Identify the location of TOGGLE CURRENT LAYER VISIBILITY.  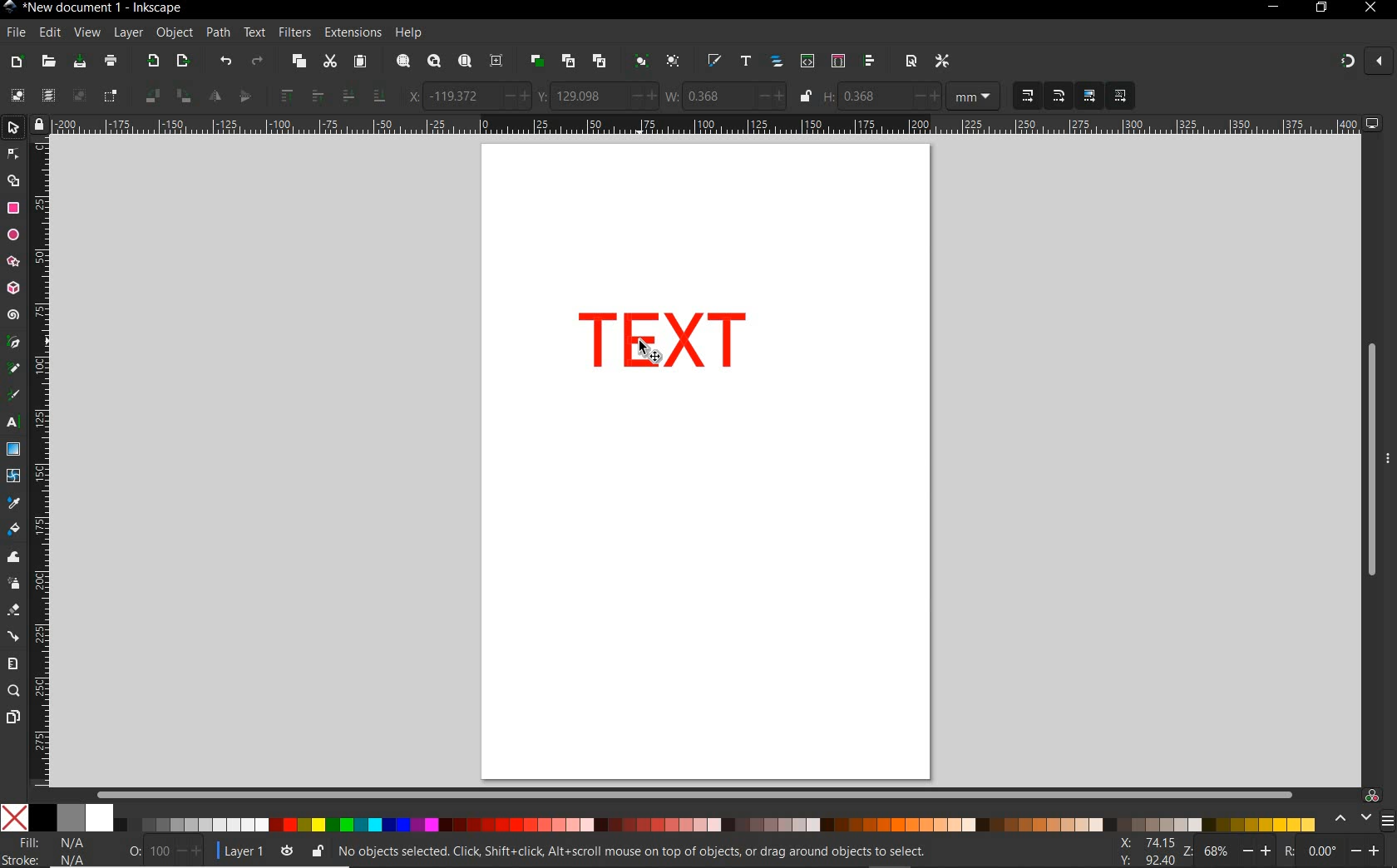
(287, 851).